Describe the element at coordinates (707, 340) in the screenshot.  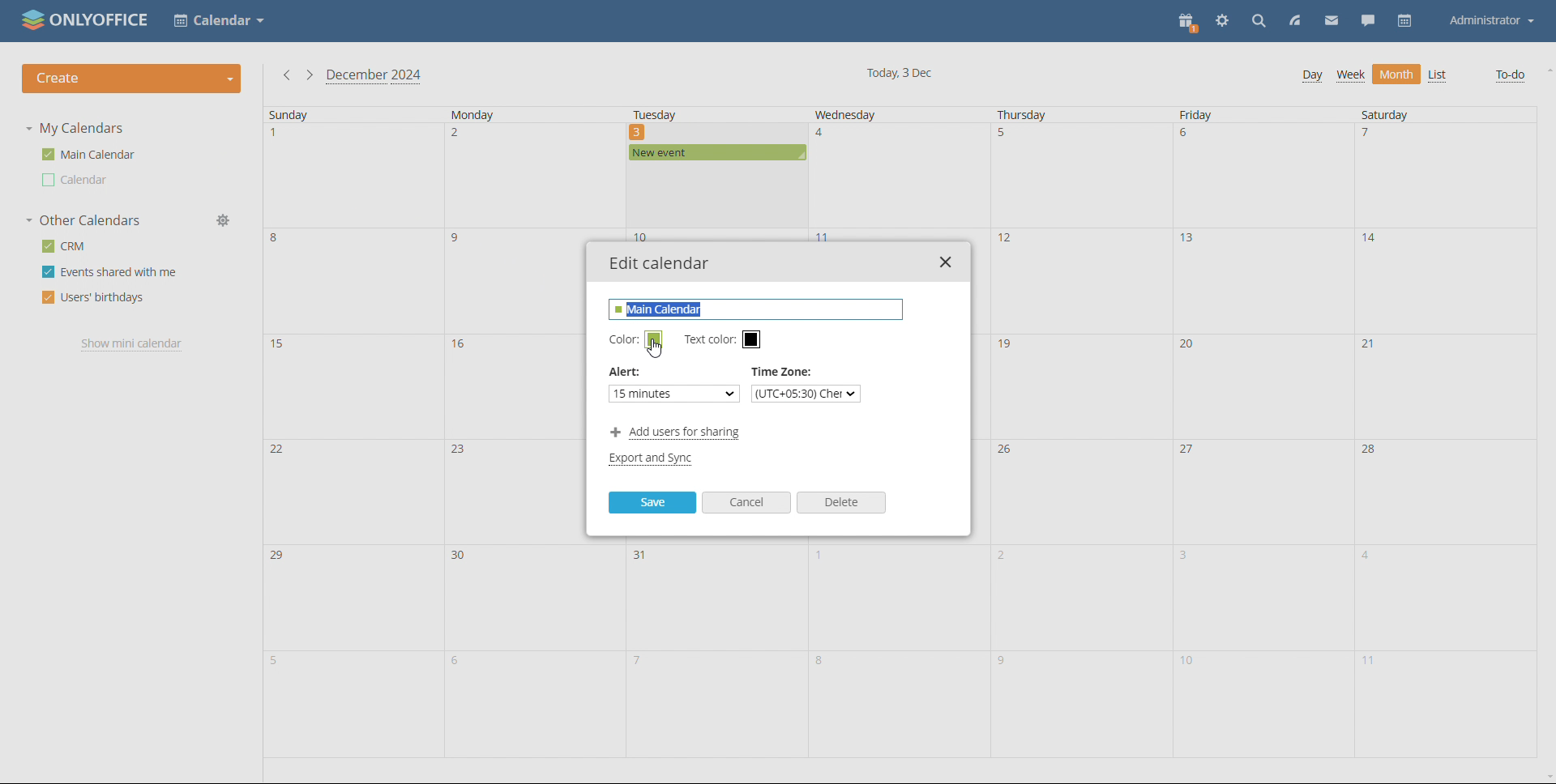
I see `Text color` at that location.